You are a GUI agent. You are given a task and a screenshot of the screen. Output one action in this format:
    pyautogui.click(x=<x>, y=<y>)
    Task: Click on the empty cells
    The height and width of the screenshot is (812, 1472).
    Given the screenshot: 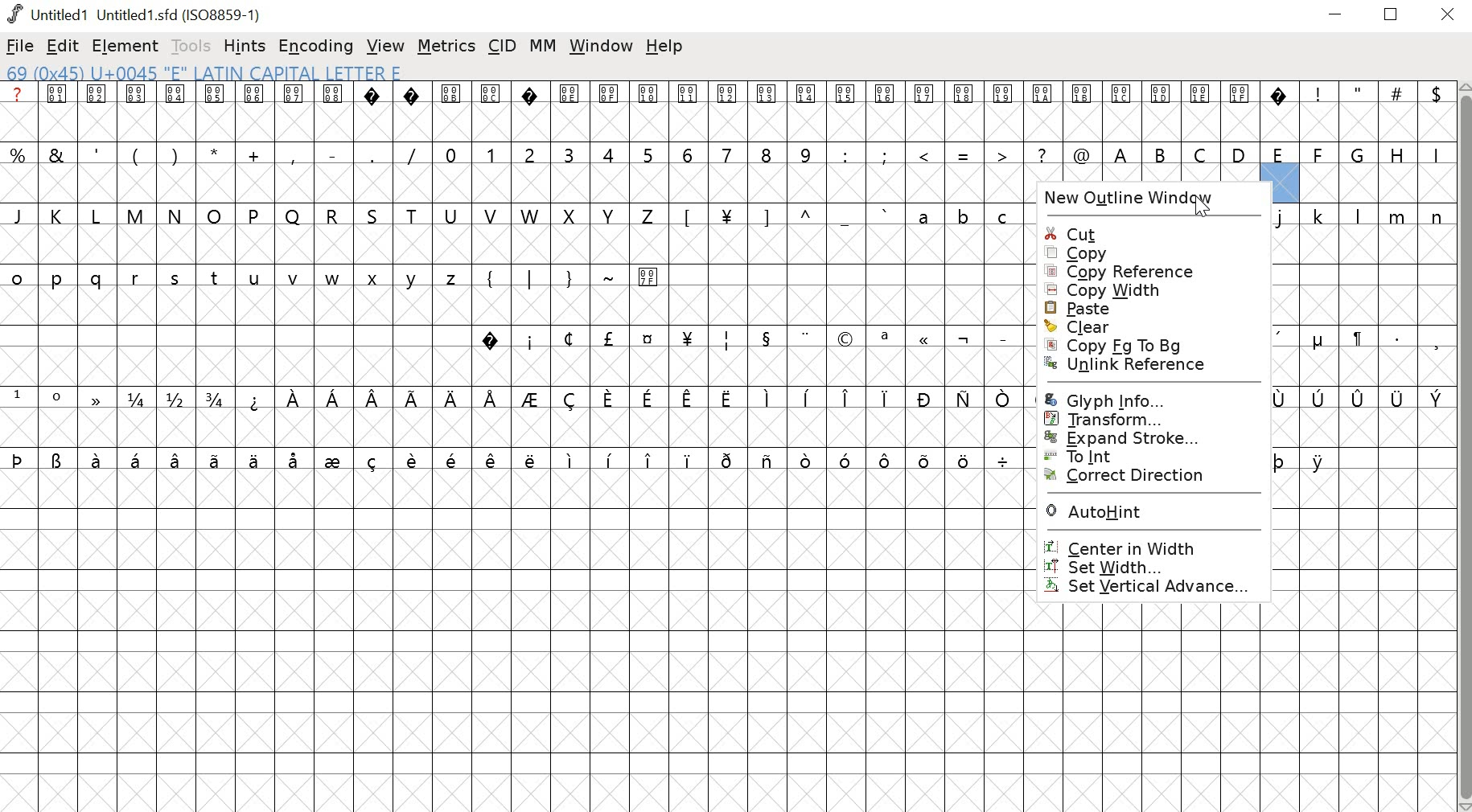 What is the action you would take?
    pyautogui.click(x=849, y=274)
    